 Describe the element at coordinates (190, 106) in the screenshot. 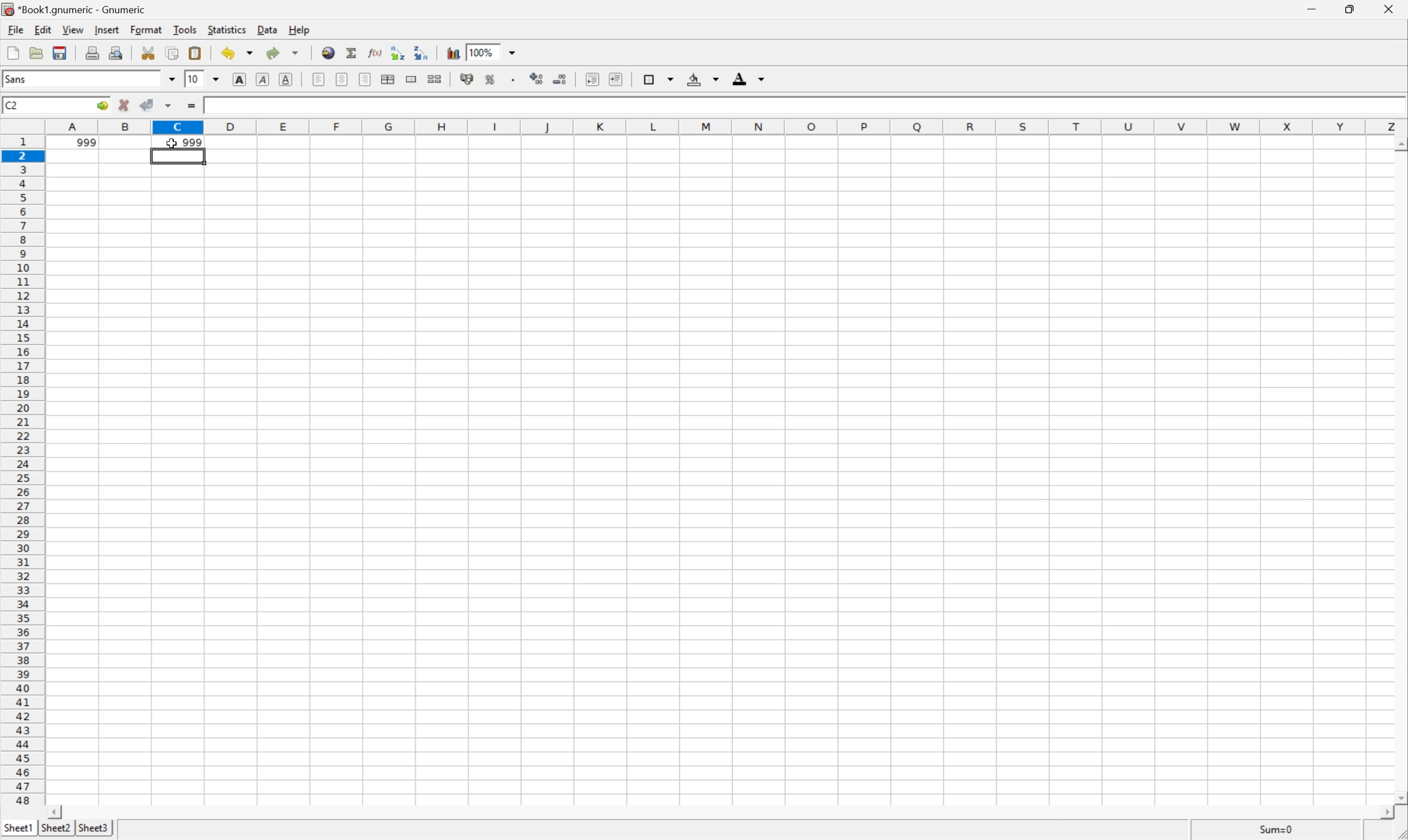

I see `enter formula` at that location.